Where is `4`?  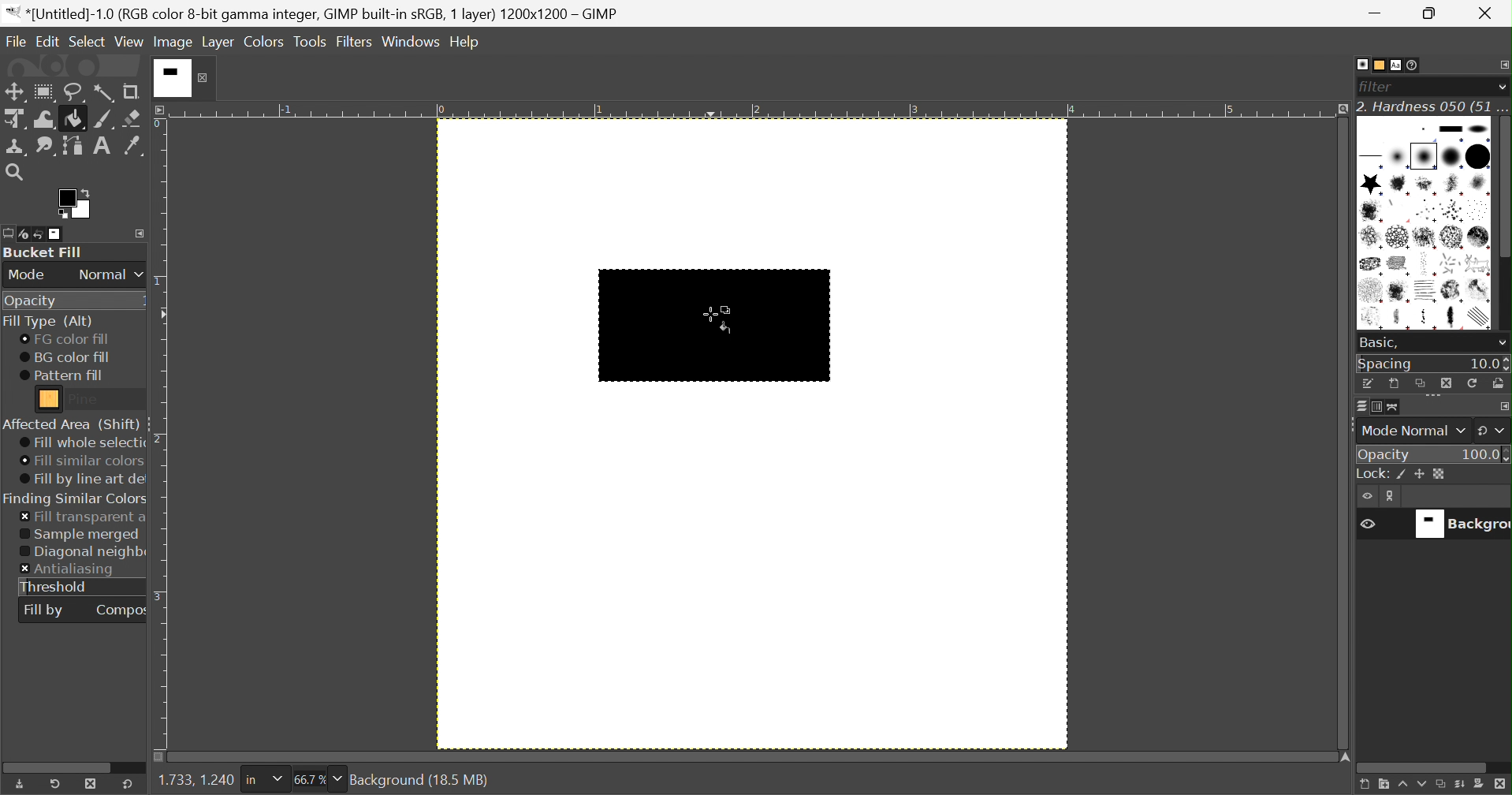 4 is located at coordinates (1071, 110).